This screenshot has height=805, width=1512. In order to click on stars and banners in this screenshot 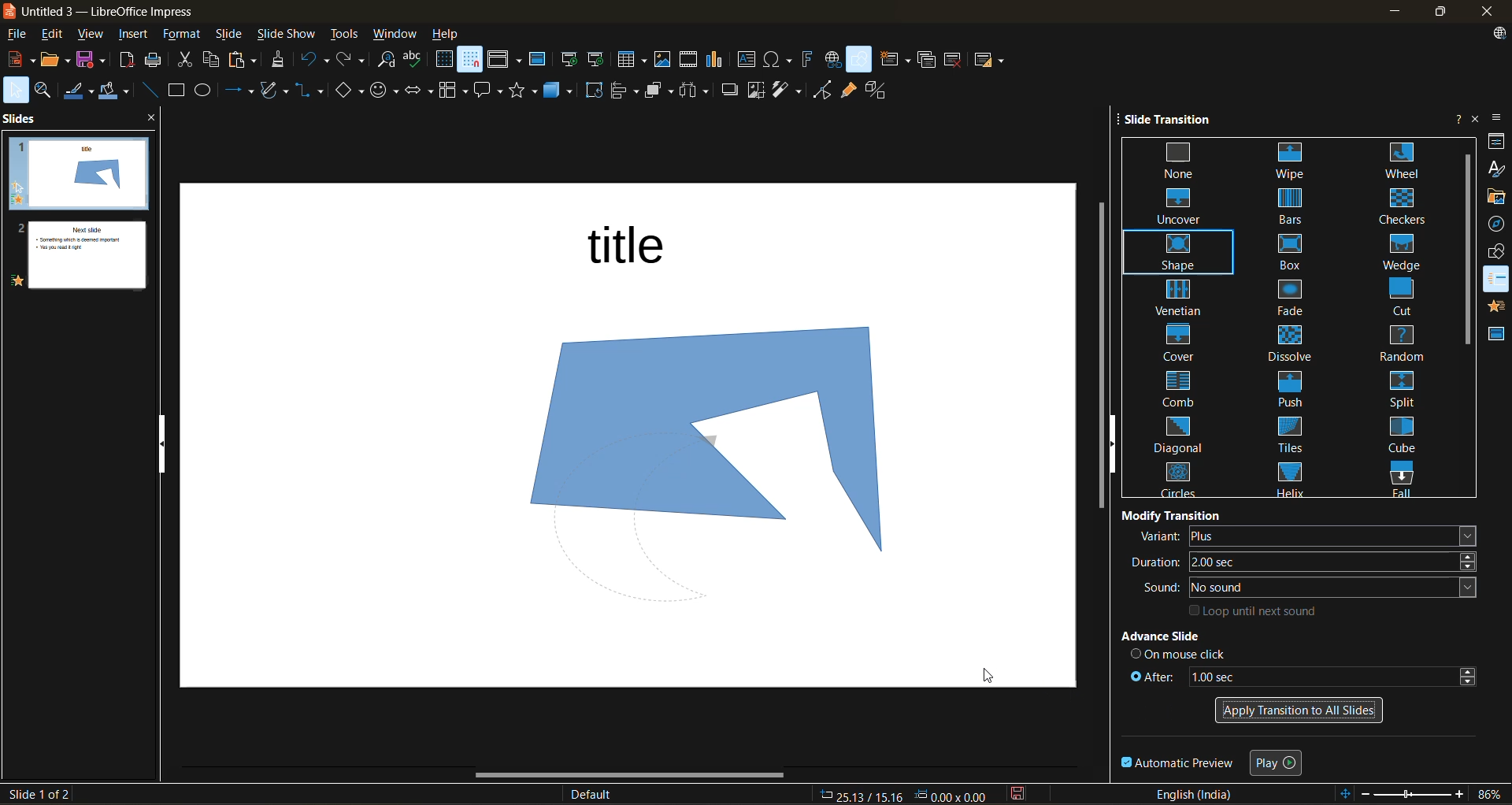, I will do `click(528, 91)`.